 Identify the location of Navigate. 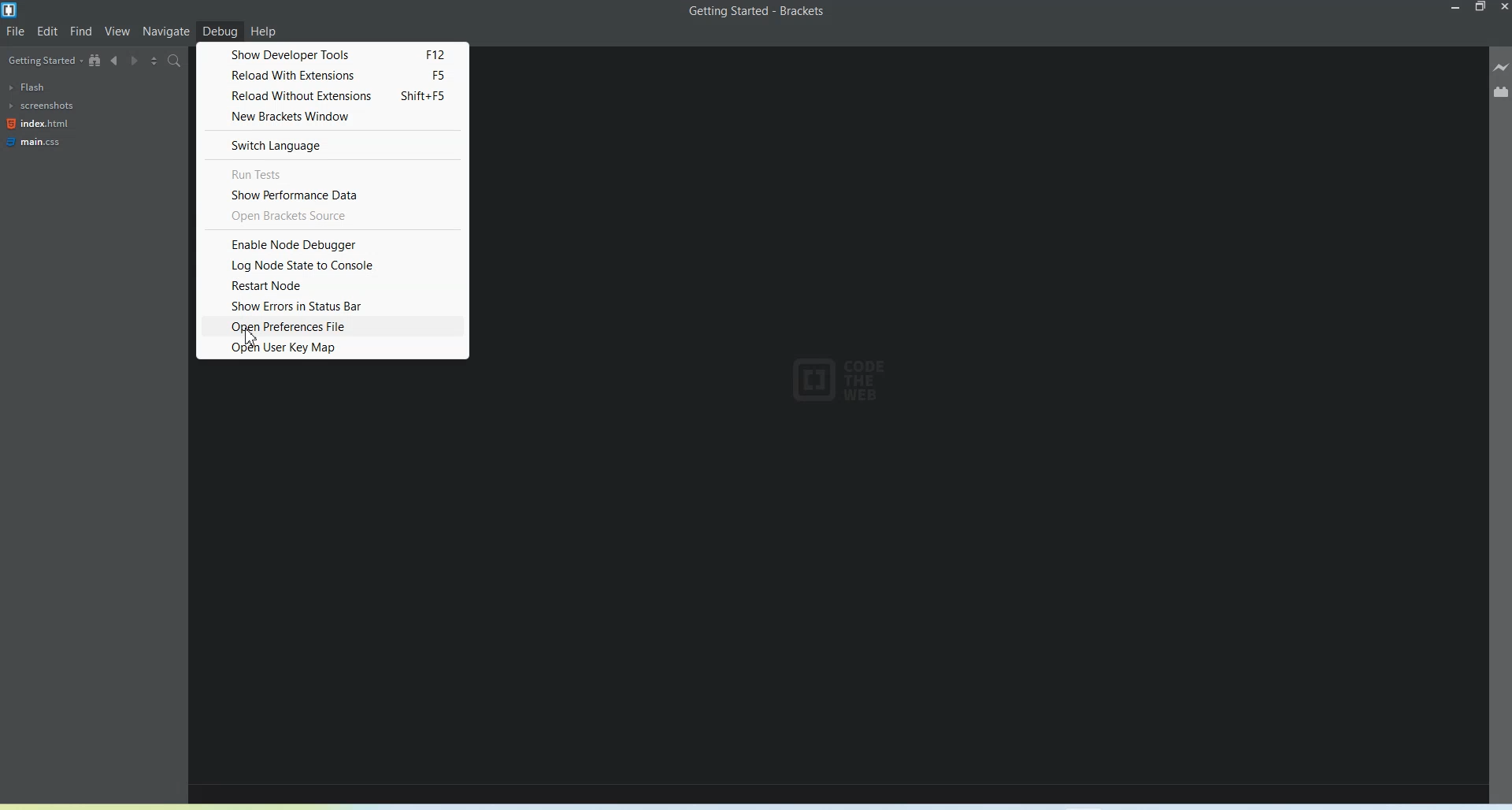
(166, 32).